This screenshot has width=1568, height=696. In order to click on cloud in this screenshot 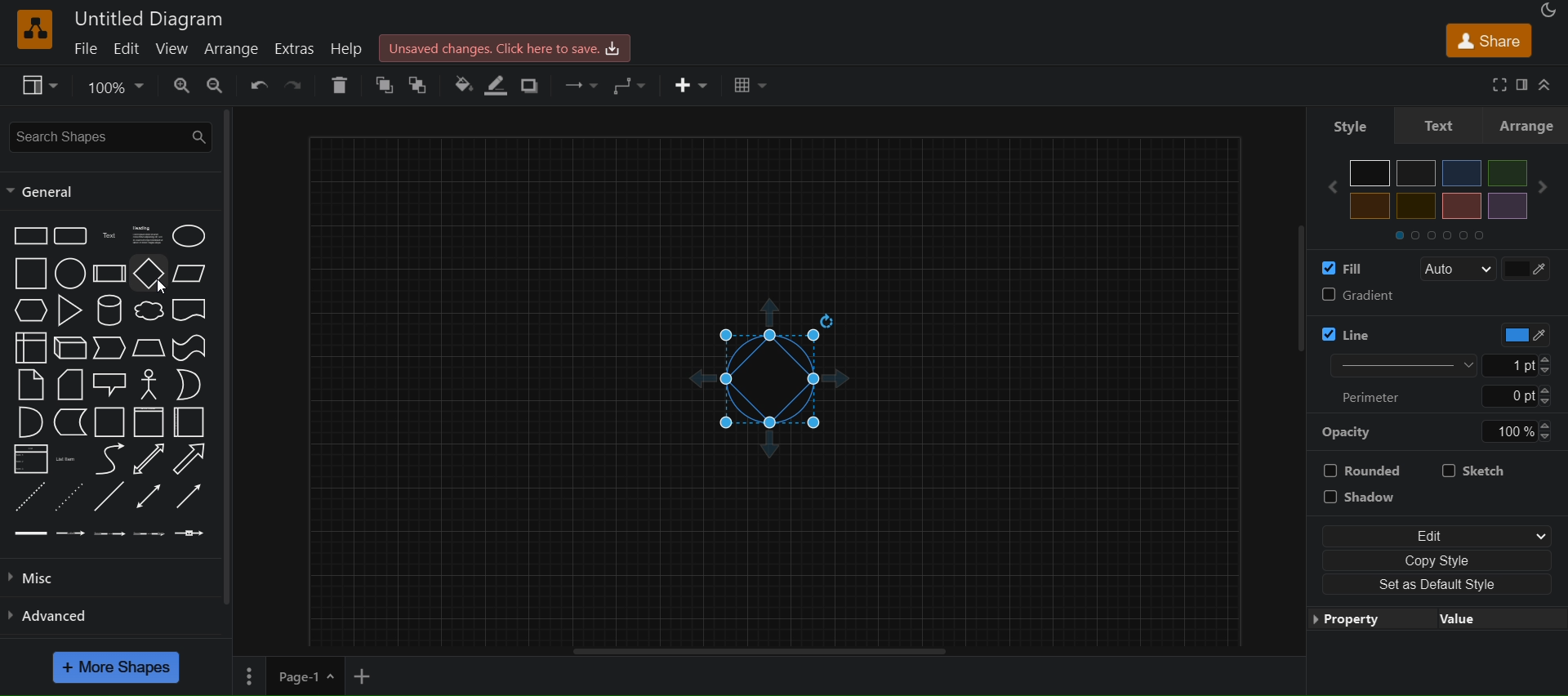, I will do `click(149, 312)`.